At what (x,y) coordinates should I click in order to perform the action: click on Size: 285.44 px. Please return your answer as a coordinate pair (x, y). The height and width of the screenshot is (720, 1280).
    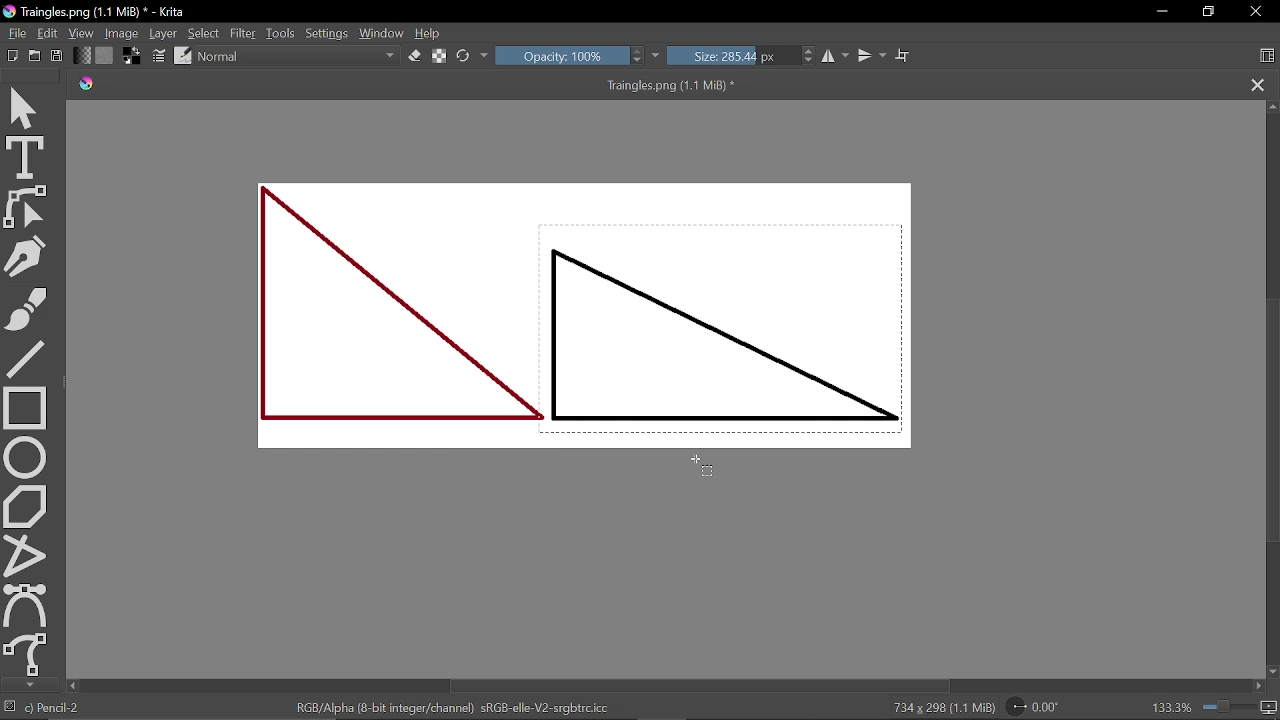
    Looking at the image, I should click on (742, 56).